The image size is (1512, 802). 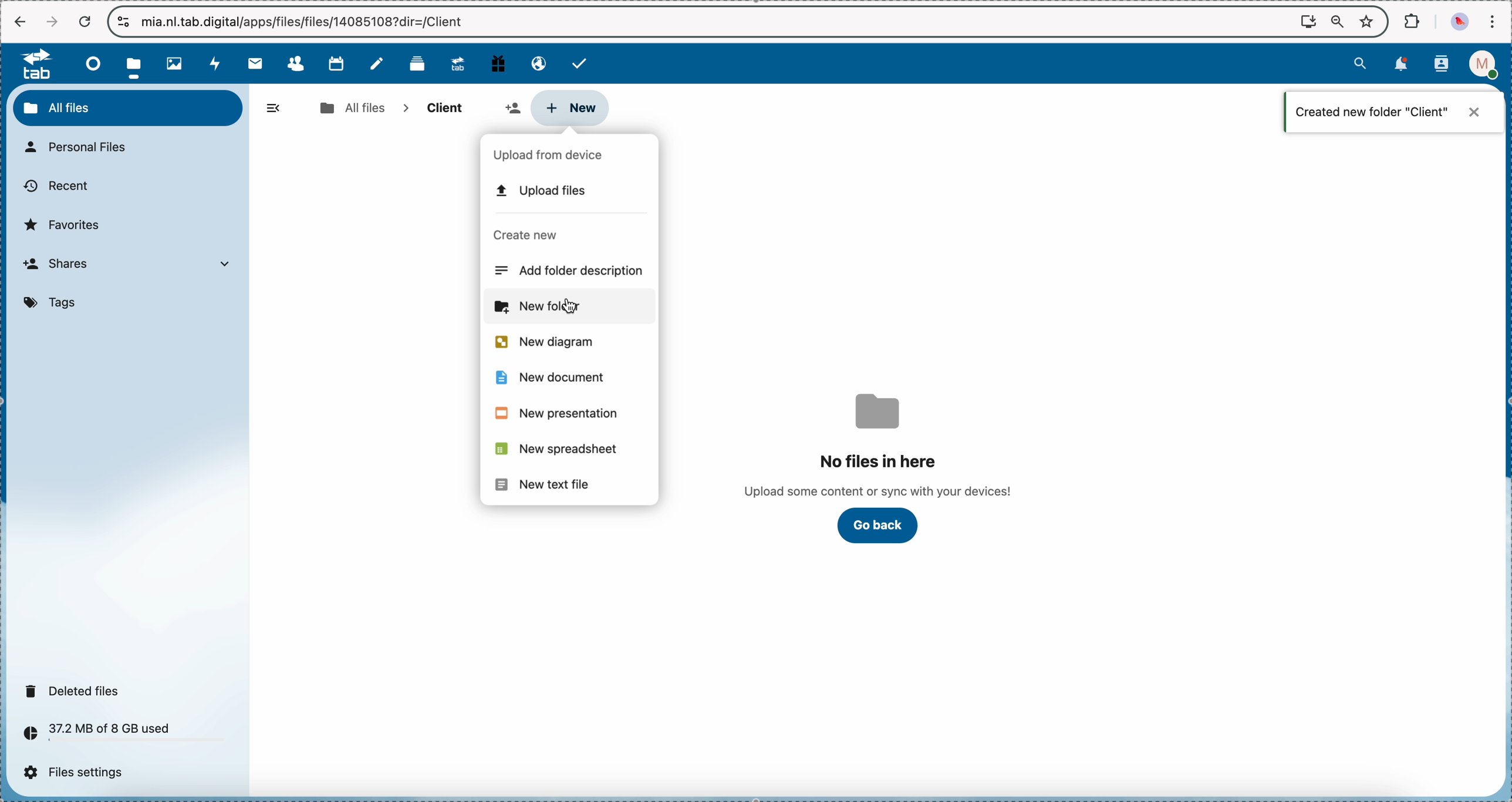 I want to click on favorites, so click(x=66, y=224).